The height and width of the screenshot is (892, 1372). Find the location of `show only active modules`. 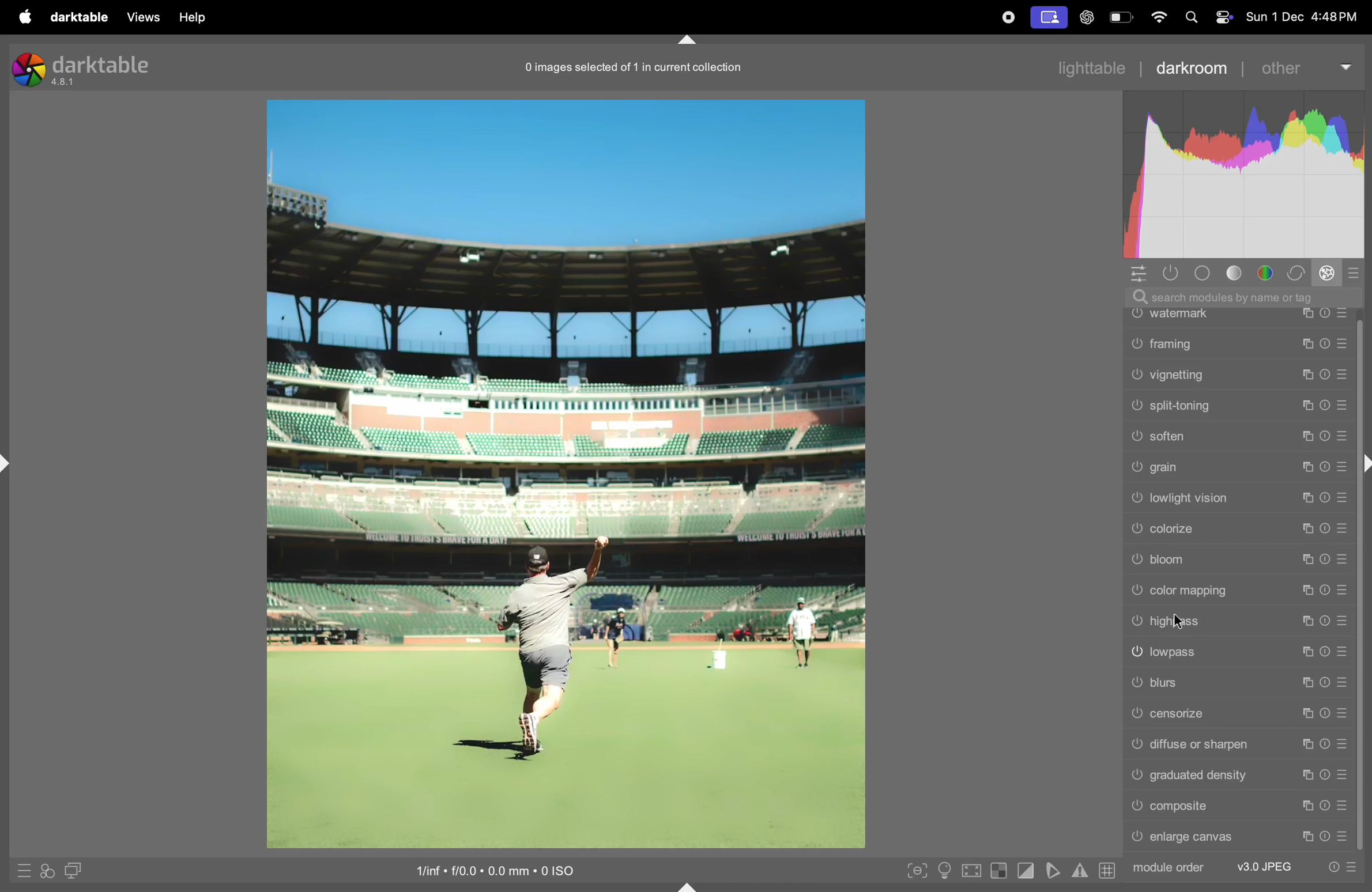

show only active modules is located at coordinates (1171, 273).